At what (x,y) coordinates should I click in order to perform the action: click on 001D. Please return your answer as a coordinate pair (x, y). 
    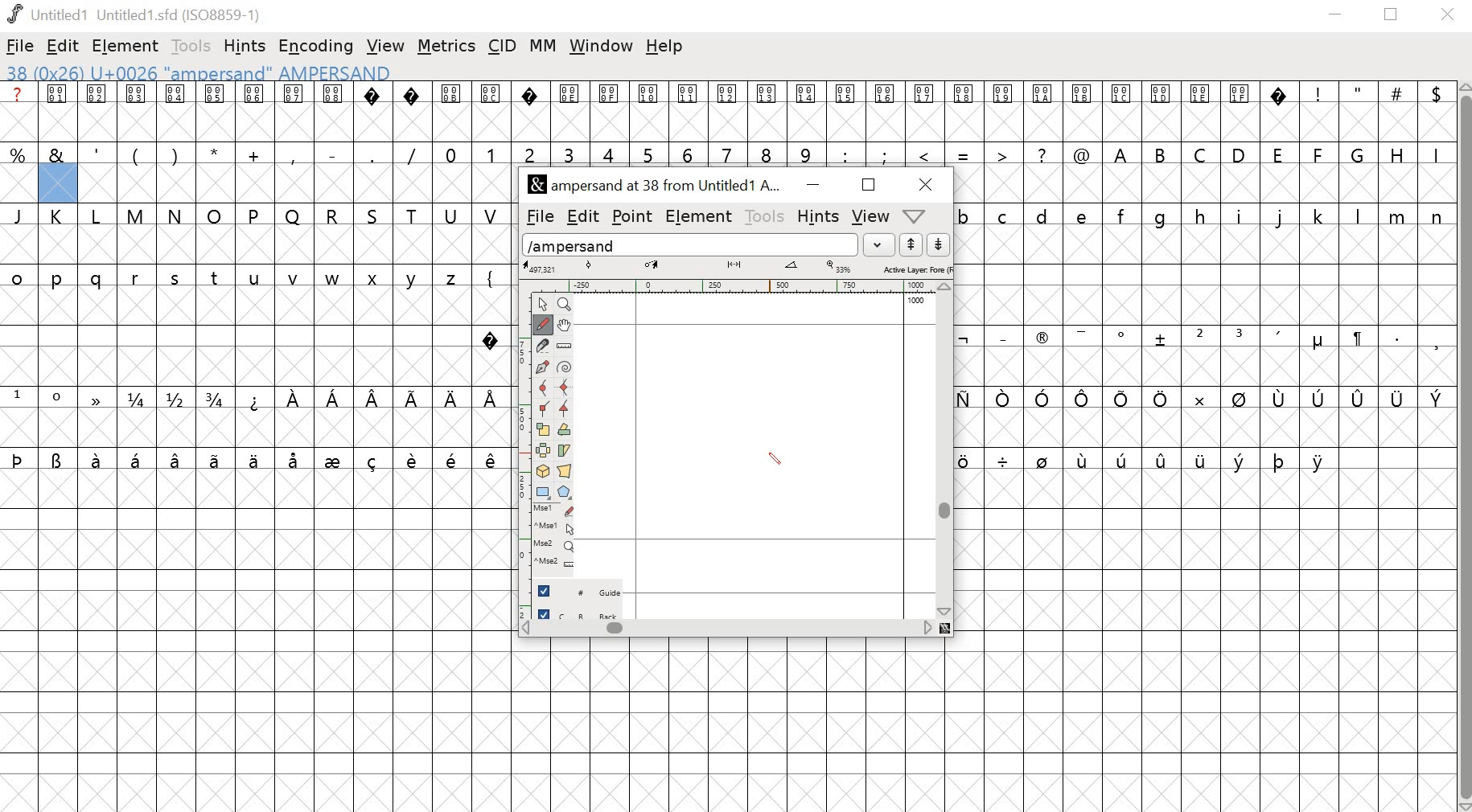
    Looking at the image, I should click on (1162, 112).